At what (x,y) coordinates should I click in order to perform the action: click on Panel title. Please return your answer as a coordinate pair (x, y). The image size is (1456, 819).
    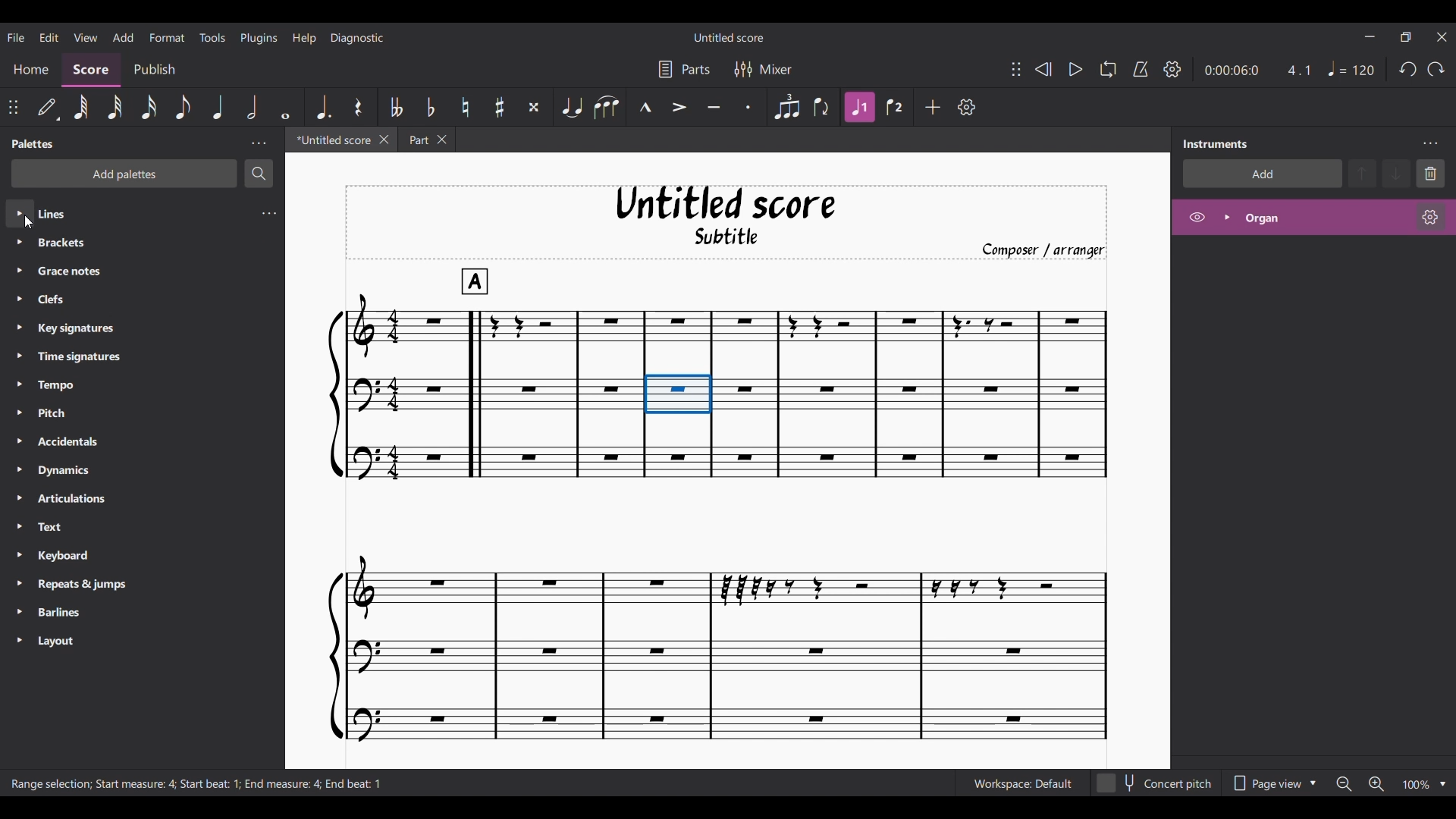
    Looking at the image, I should click on (33, 144).